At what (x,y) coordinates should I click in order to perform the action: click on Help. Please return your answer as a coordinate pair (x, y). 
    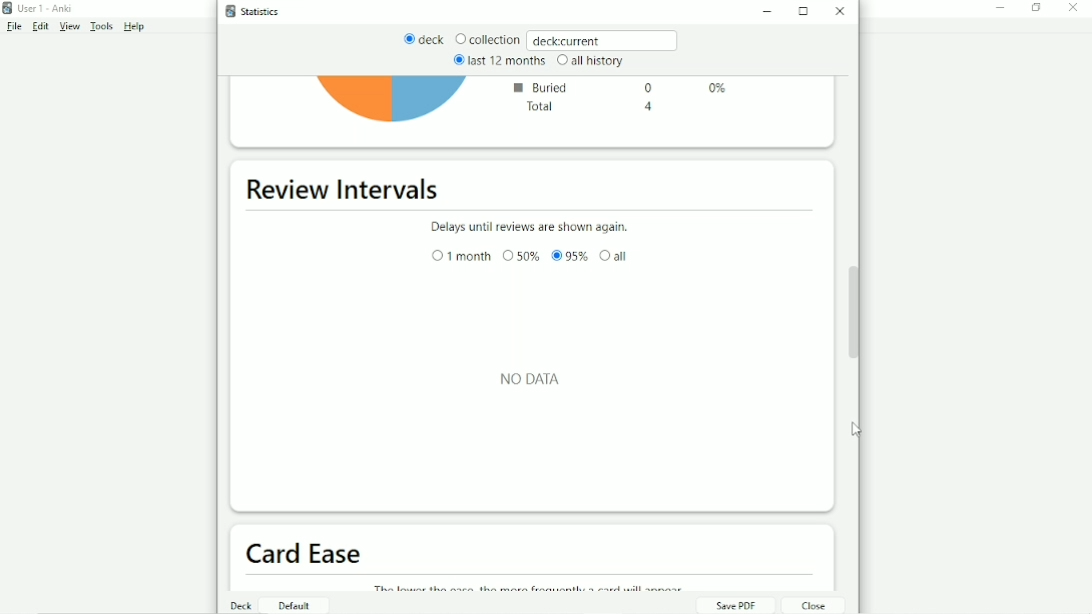
    Looking at the image, I should click on (135, 27).